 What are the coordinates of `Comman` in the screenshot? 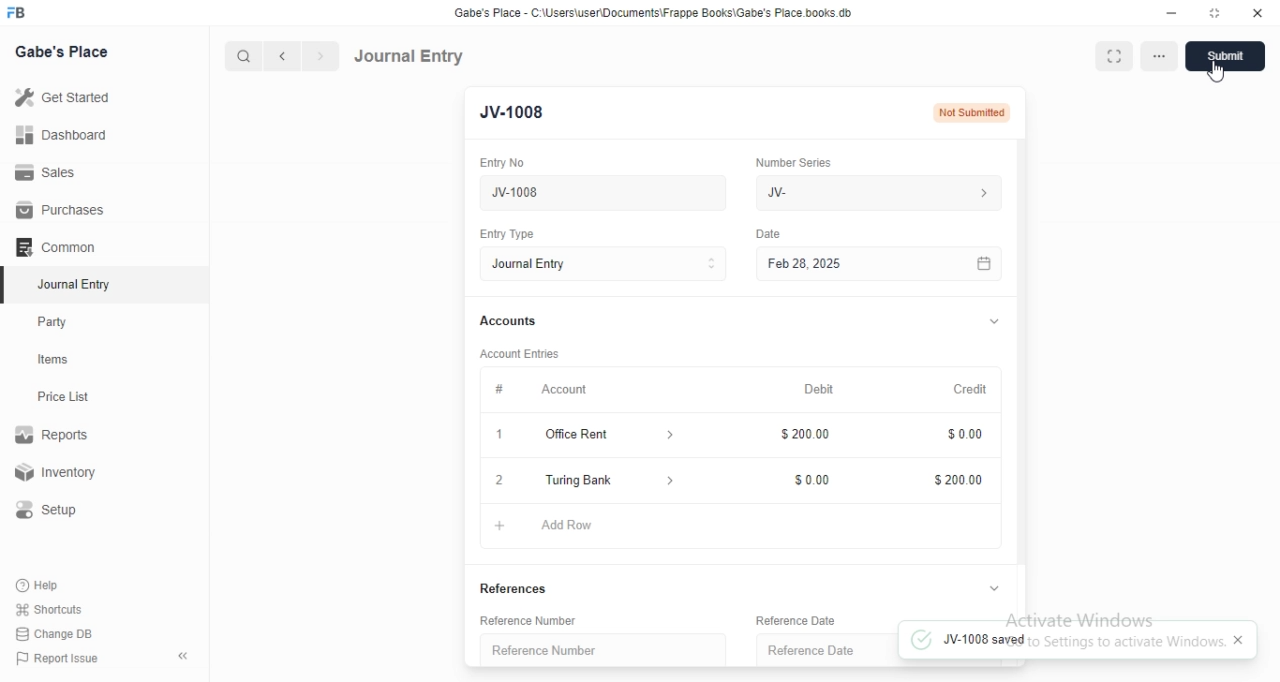 It's located at (49, 247).